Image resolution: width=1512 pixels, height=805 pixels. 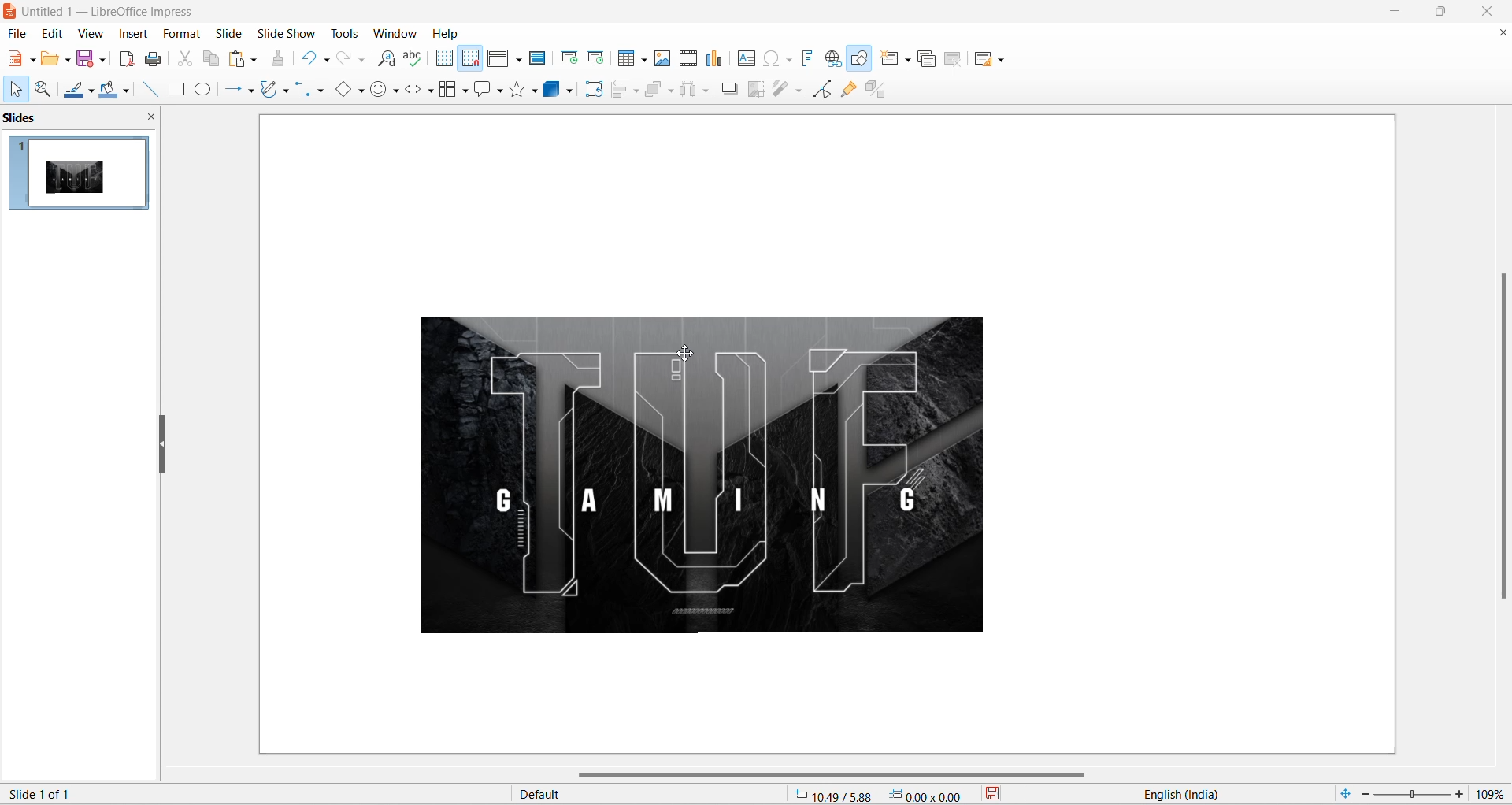 I want to click on fit current slide to windows, so click(x=1343, y=793).